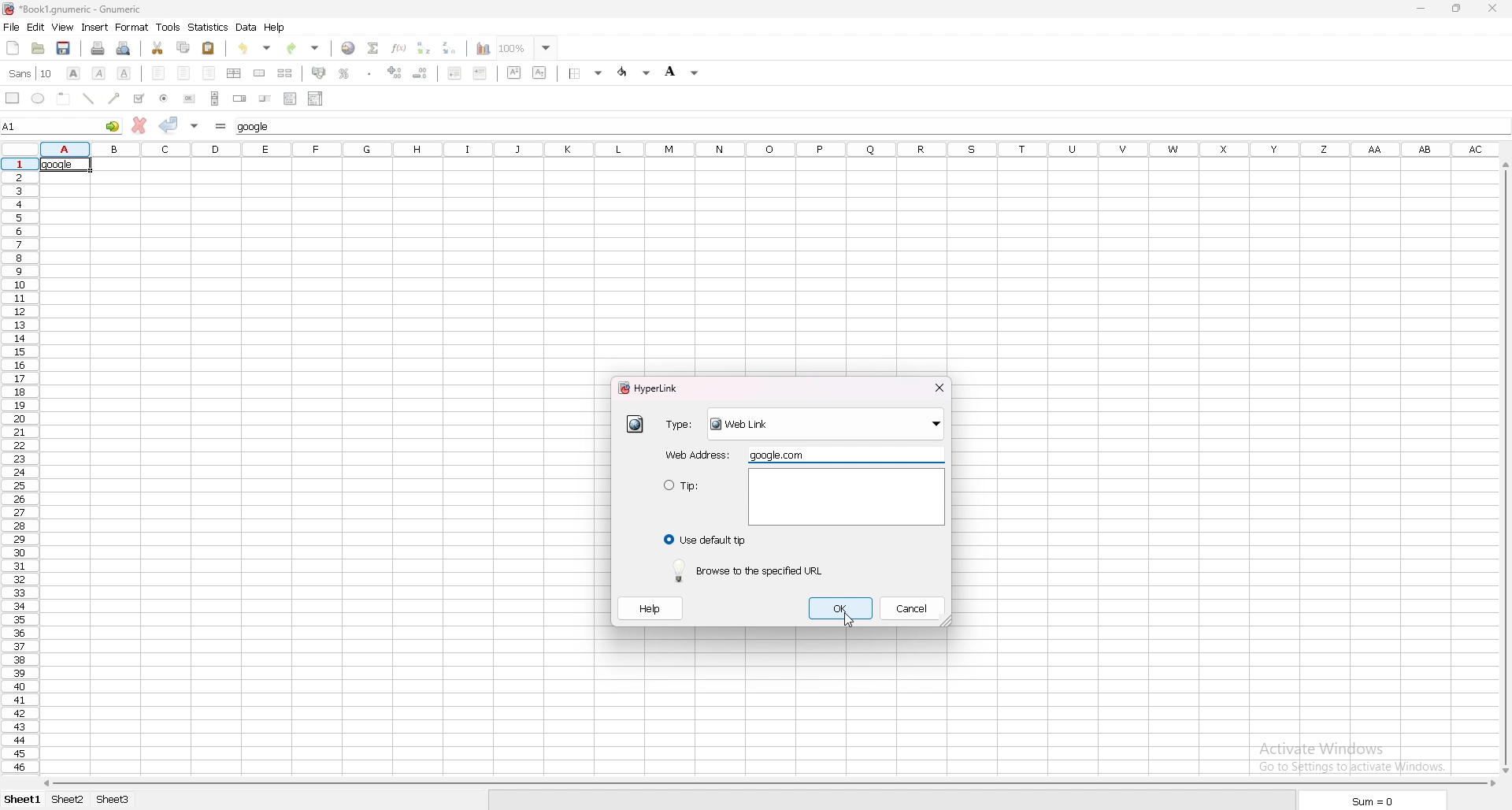 This screenshot has width=1512, height=810. Describe the element at coordinates (1458, 8) in the screenshot. I see `resize` at that location.